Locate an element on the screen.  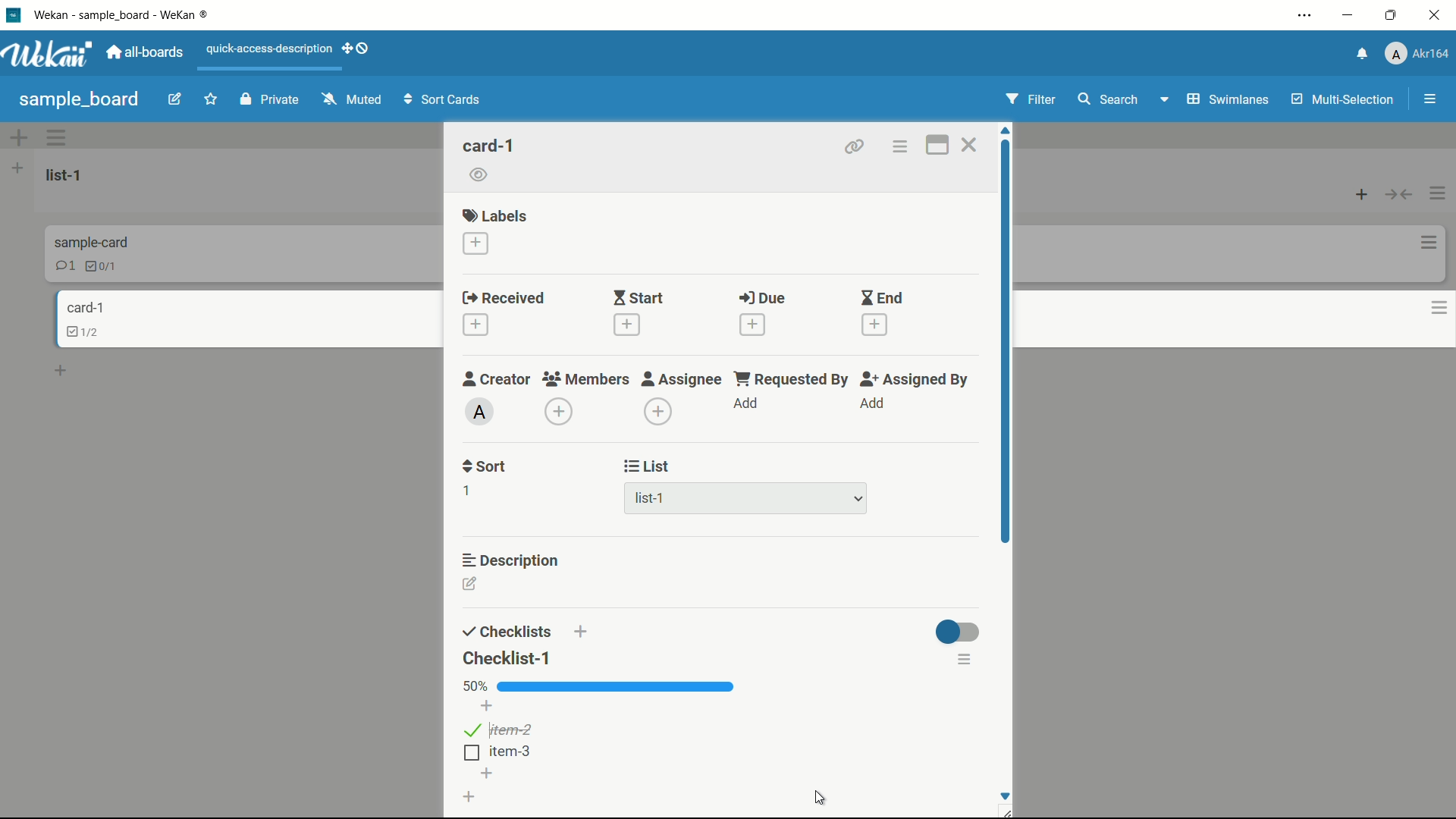
checkbox is located at coordinates (470, 755).